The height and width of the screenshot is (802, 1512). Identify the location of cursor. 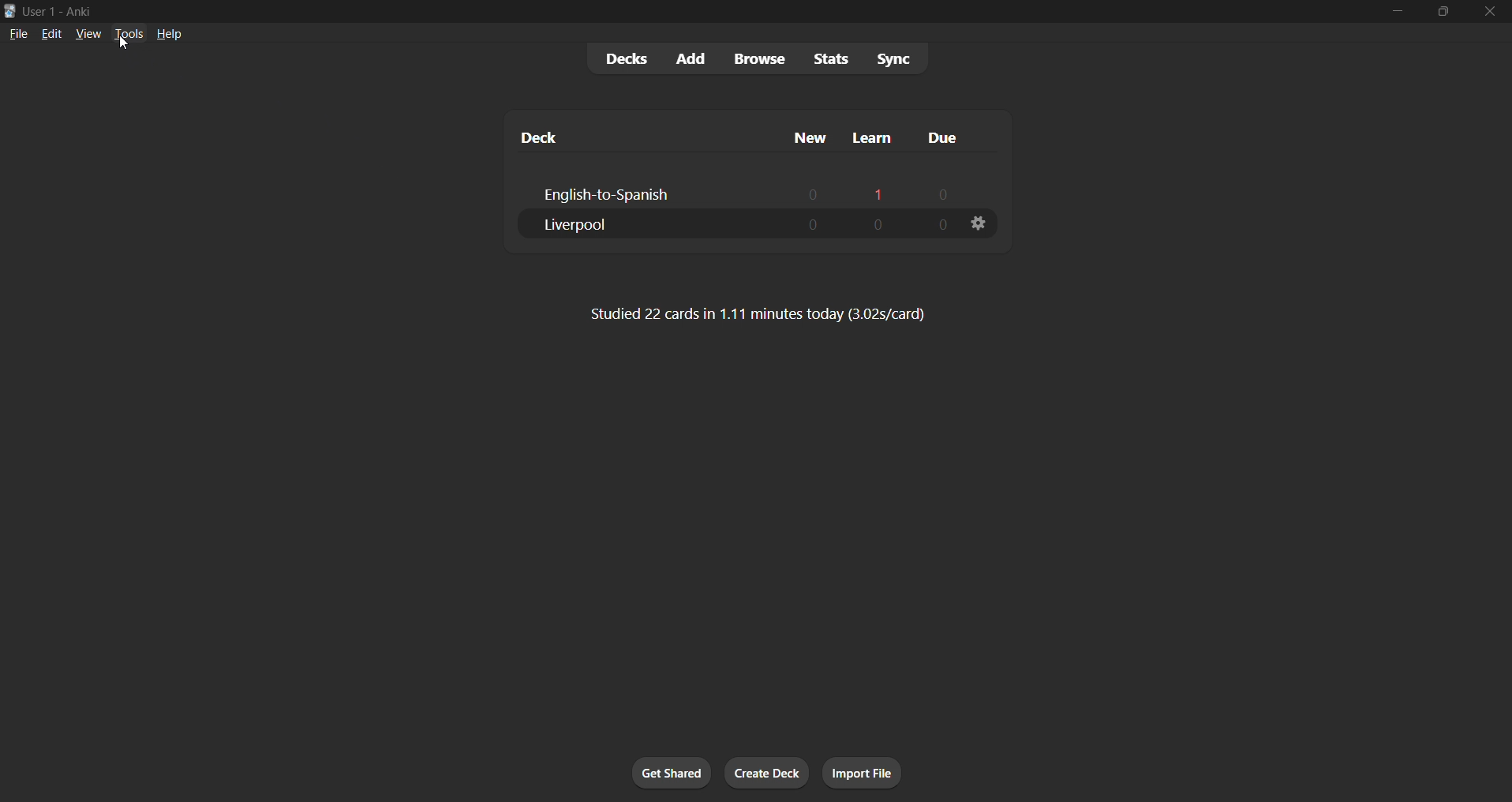
(125, 45).